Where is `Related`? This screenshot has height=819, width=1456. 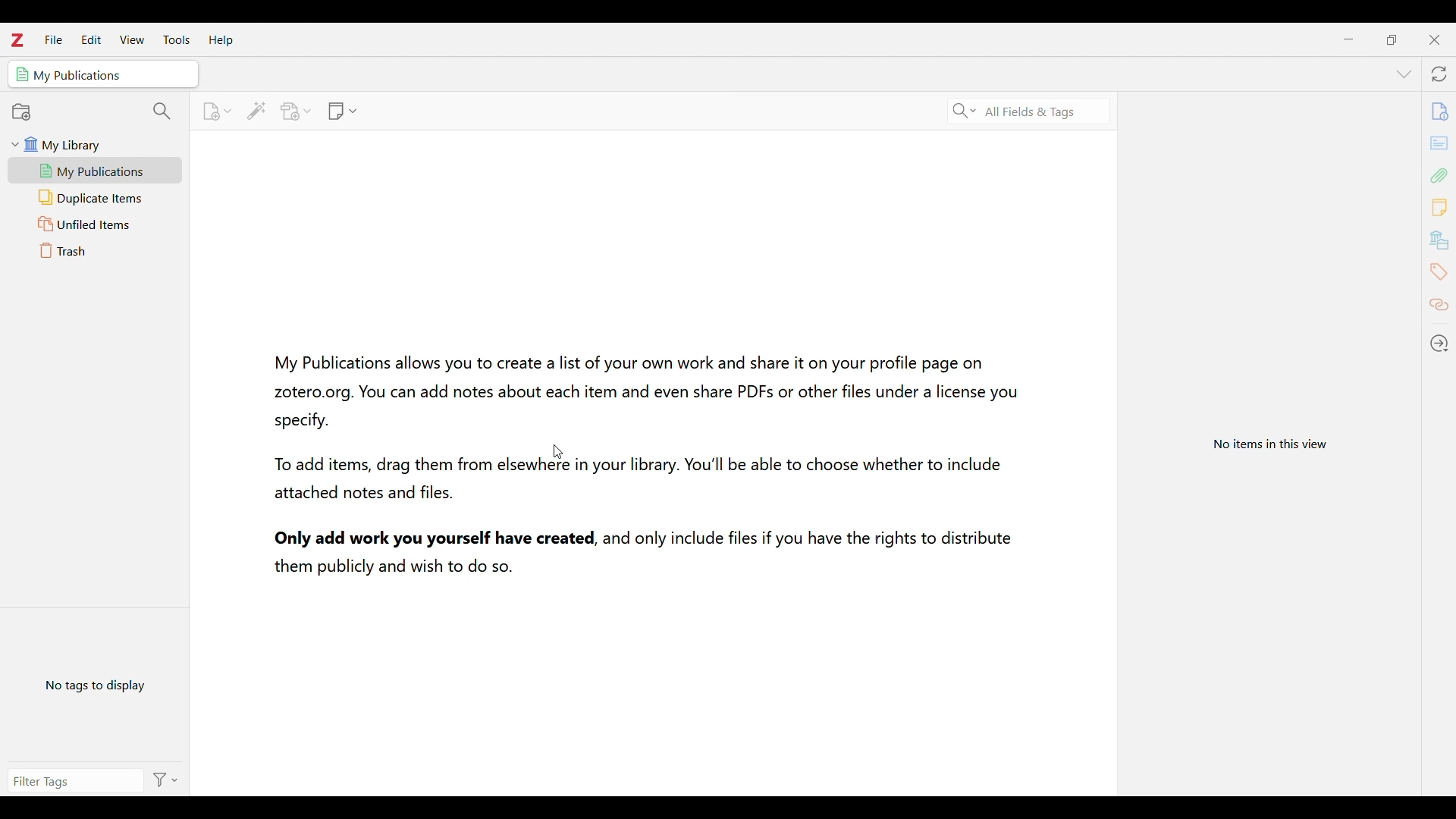
Related is located at coordinates (1439, 306).